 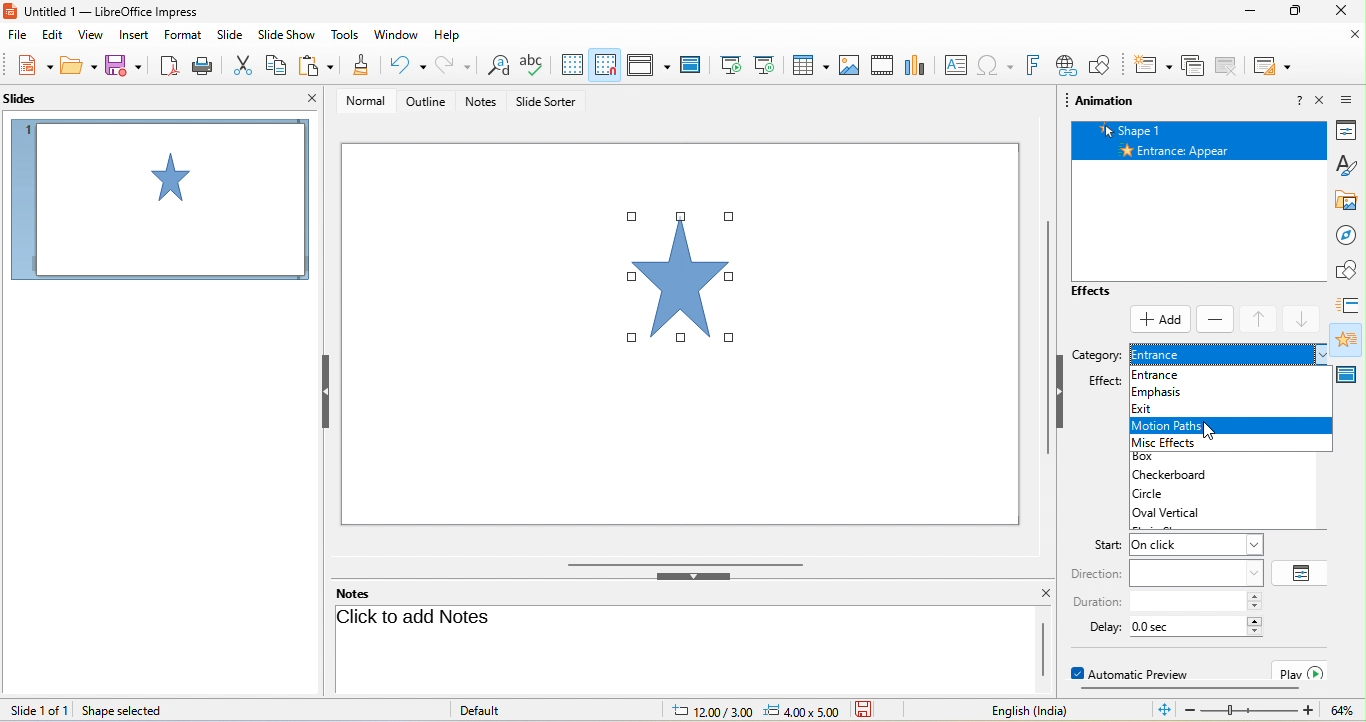 I want to click on vertical scrollbar, so click(x=1042, y=331).